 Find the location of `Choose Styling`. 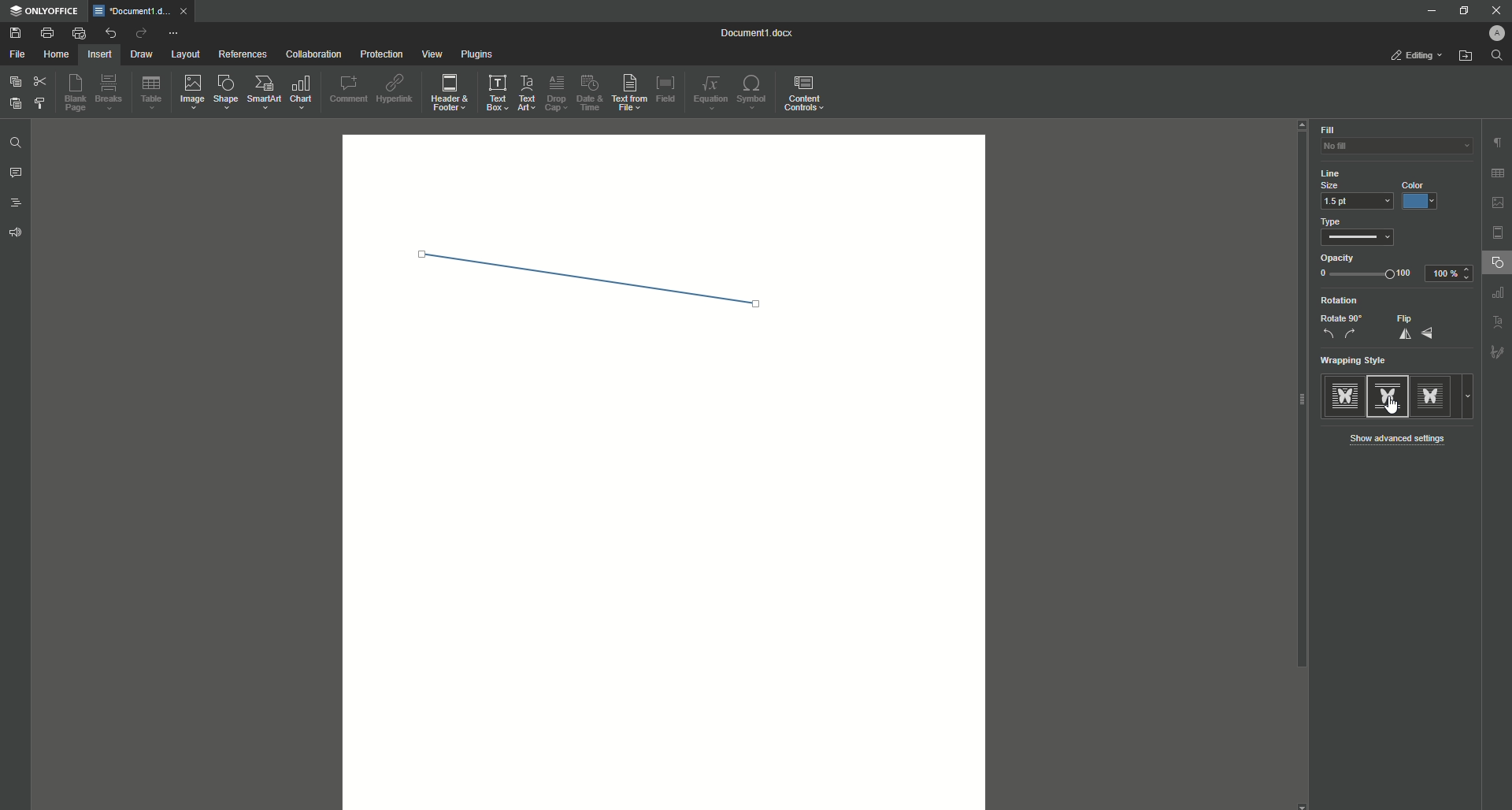

Choose Styling is located at coordinates (42, 105).